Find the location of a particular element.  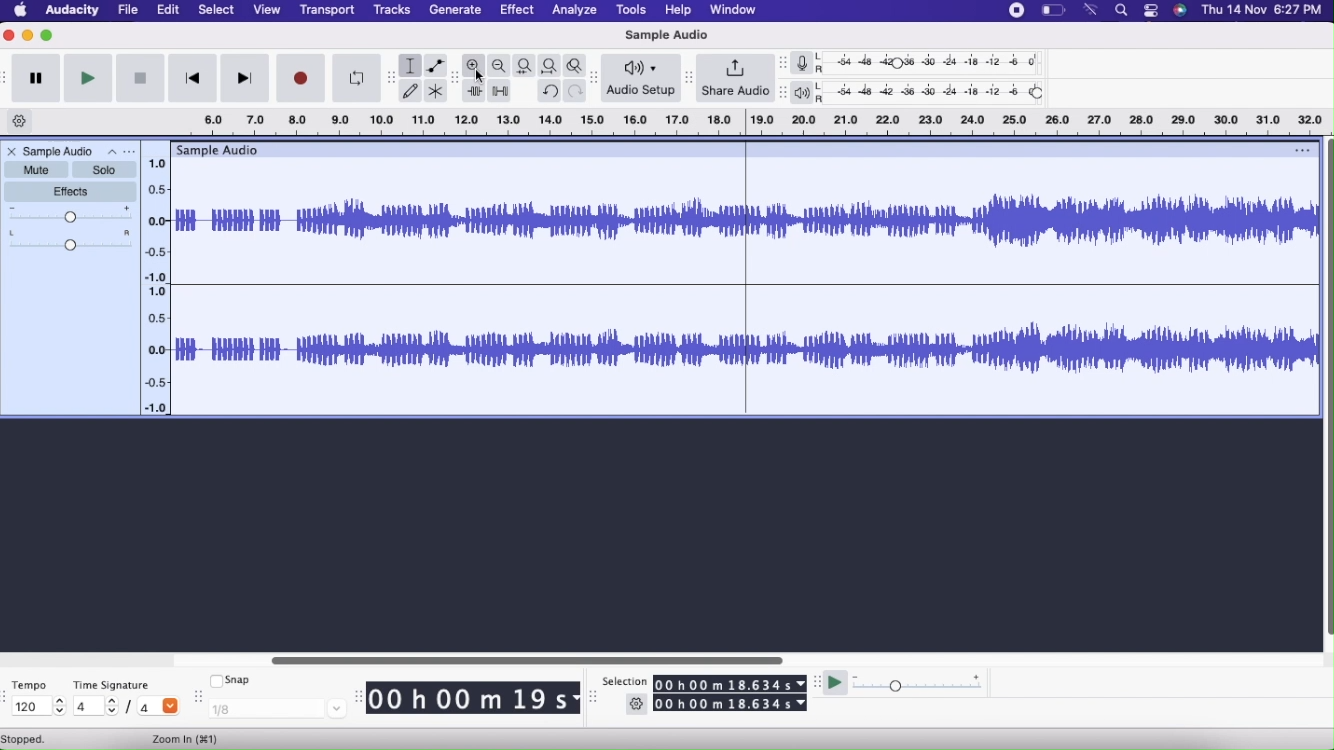

Playback level is located at coordinates (938, 94).